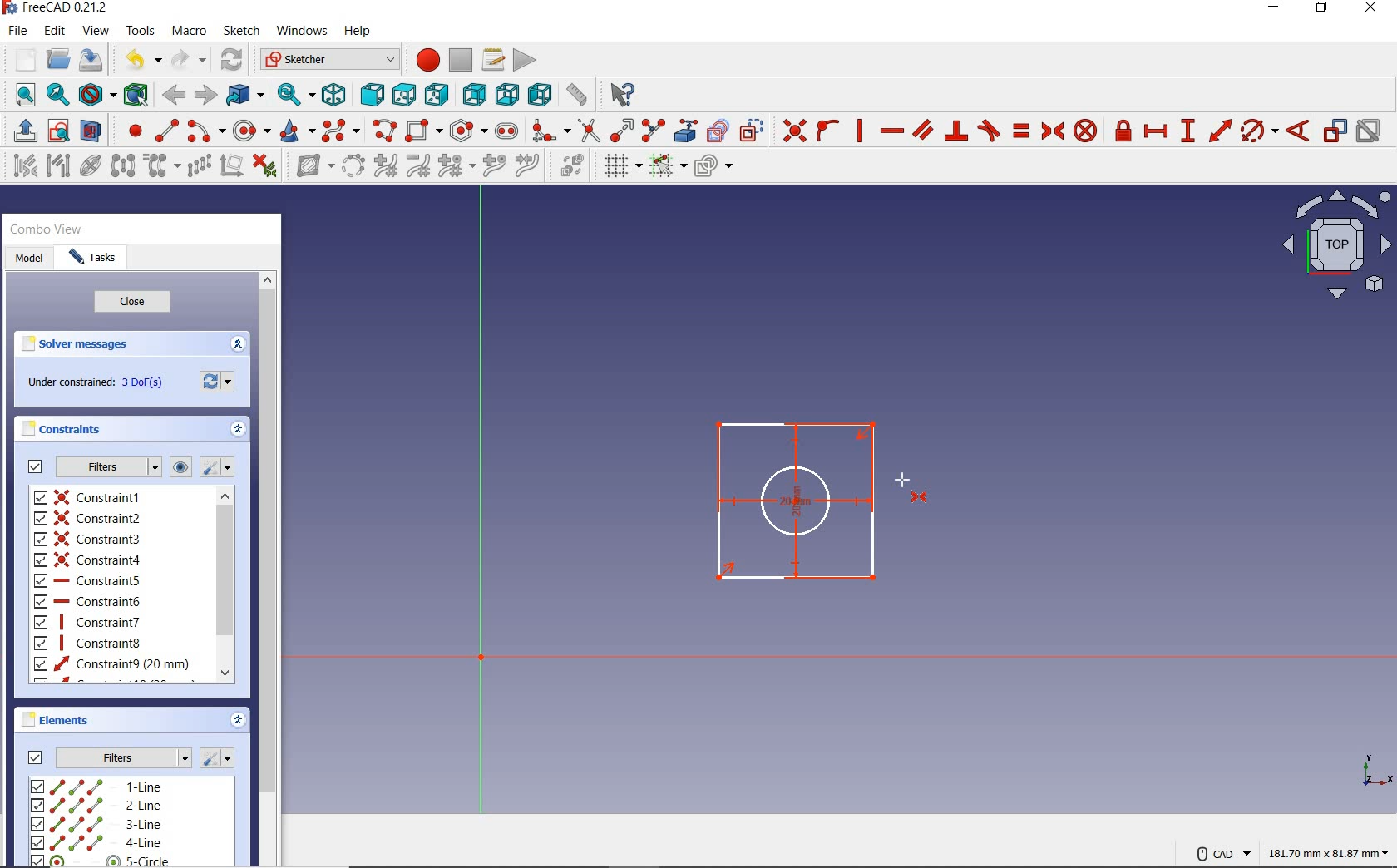 This screenshot has width=1397, height=868. I want to click on constraint vertical distance, so click(1188, 131).